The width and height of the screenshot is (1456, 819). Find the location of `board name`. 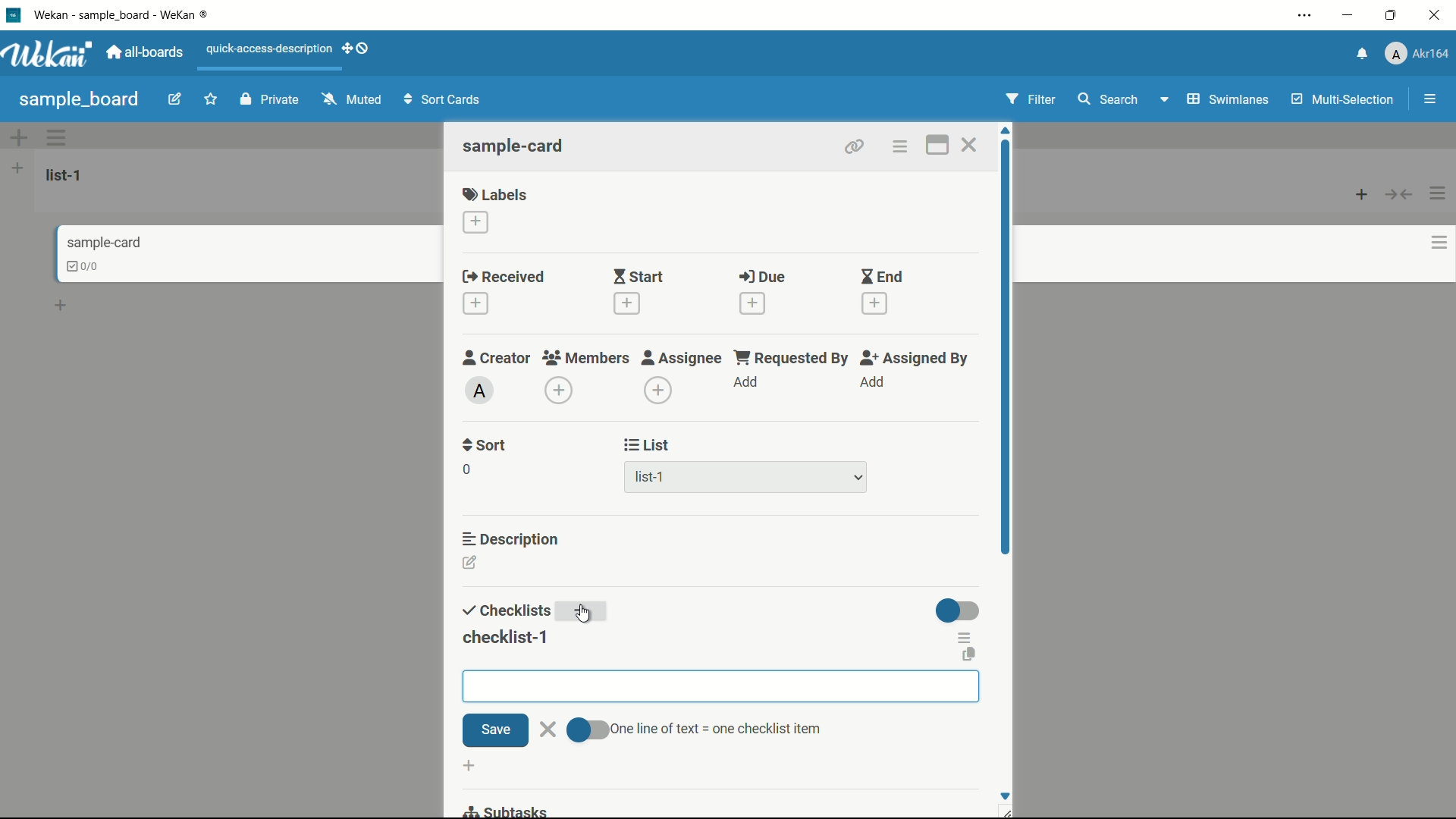

board name is located at coordinates (79, 99).